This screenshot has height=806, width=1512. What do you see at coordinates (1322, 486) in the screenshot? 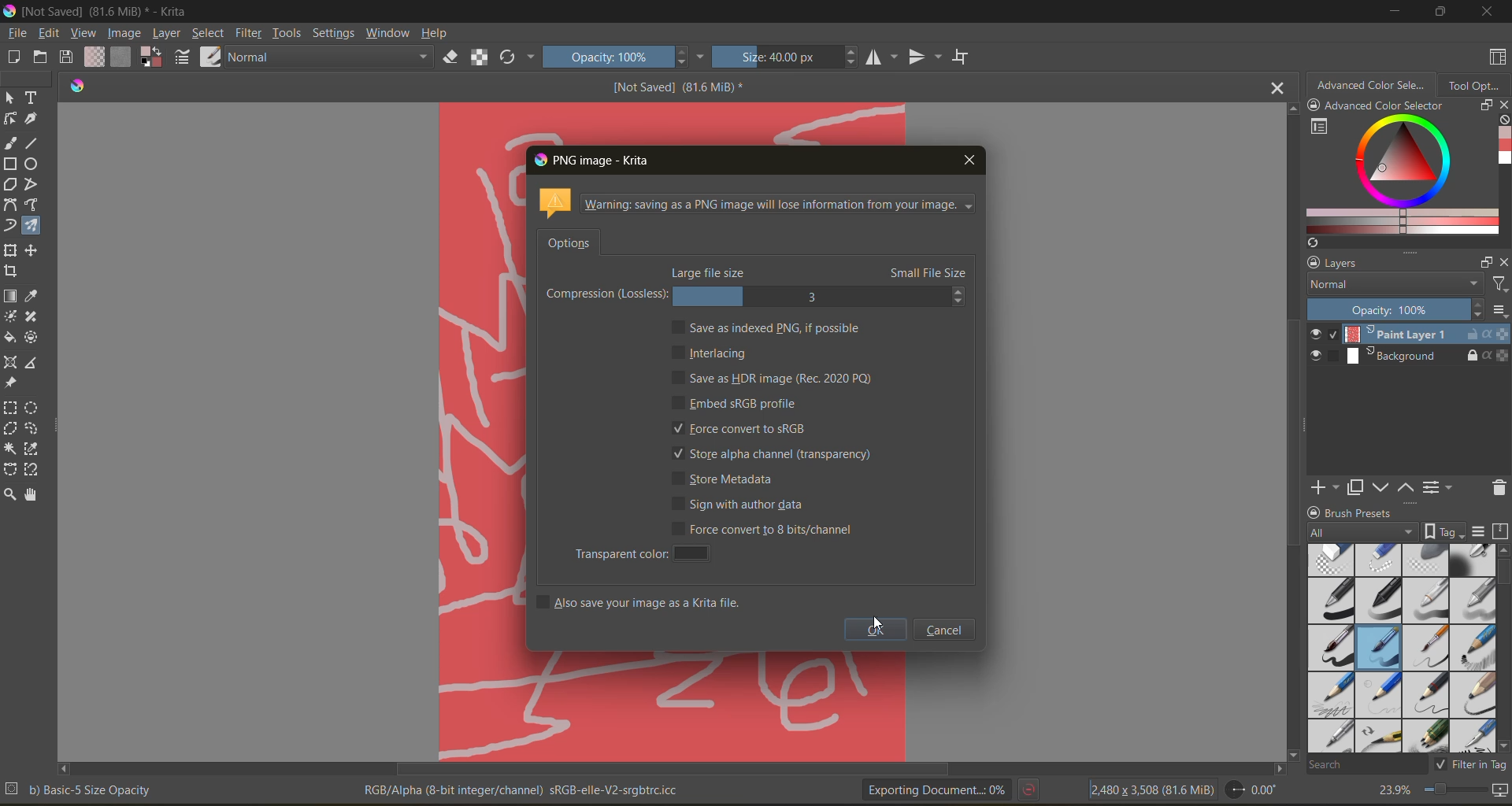
I see `add` at bounding box center [1322, 486].